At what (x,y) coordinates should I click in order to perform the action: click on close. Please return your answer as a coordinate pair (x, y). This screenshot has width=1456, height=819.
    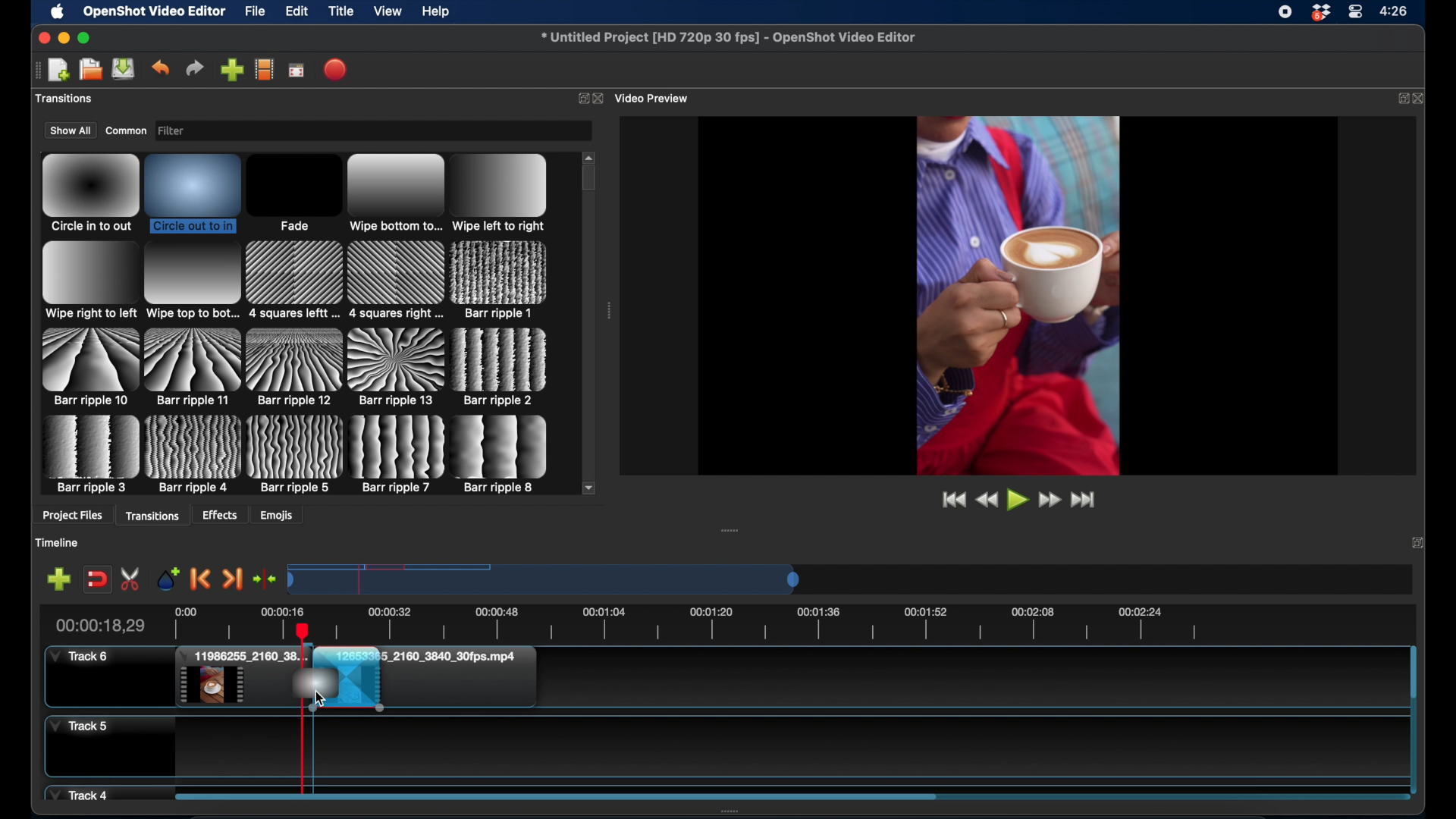
    Looking at the image, I should click on (600, 99).